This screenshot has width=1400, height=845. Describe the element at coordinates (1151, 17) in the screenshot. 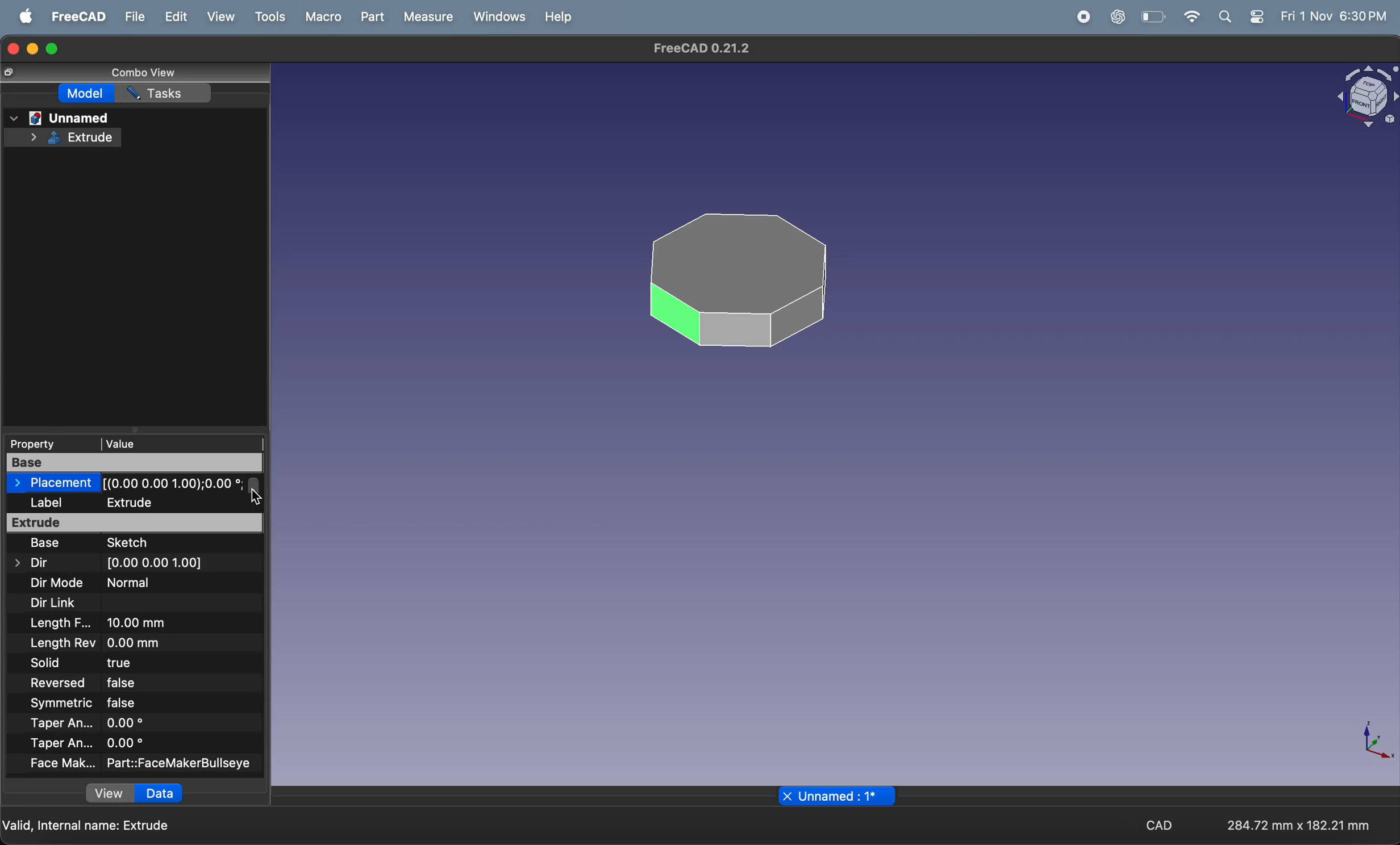

I see `battery` at that location.